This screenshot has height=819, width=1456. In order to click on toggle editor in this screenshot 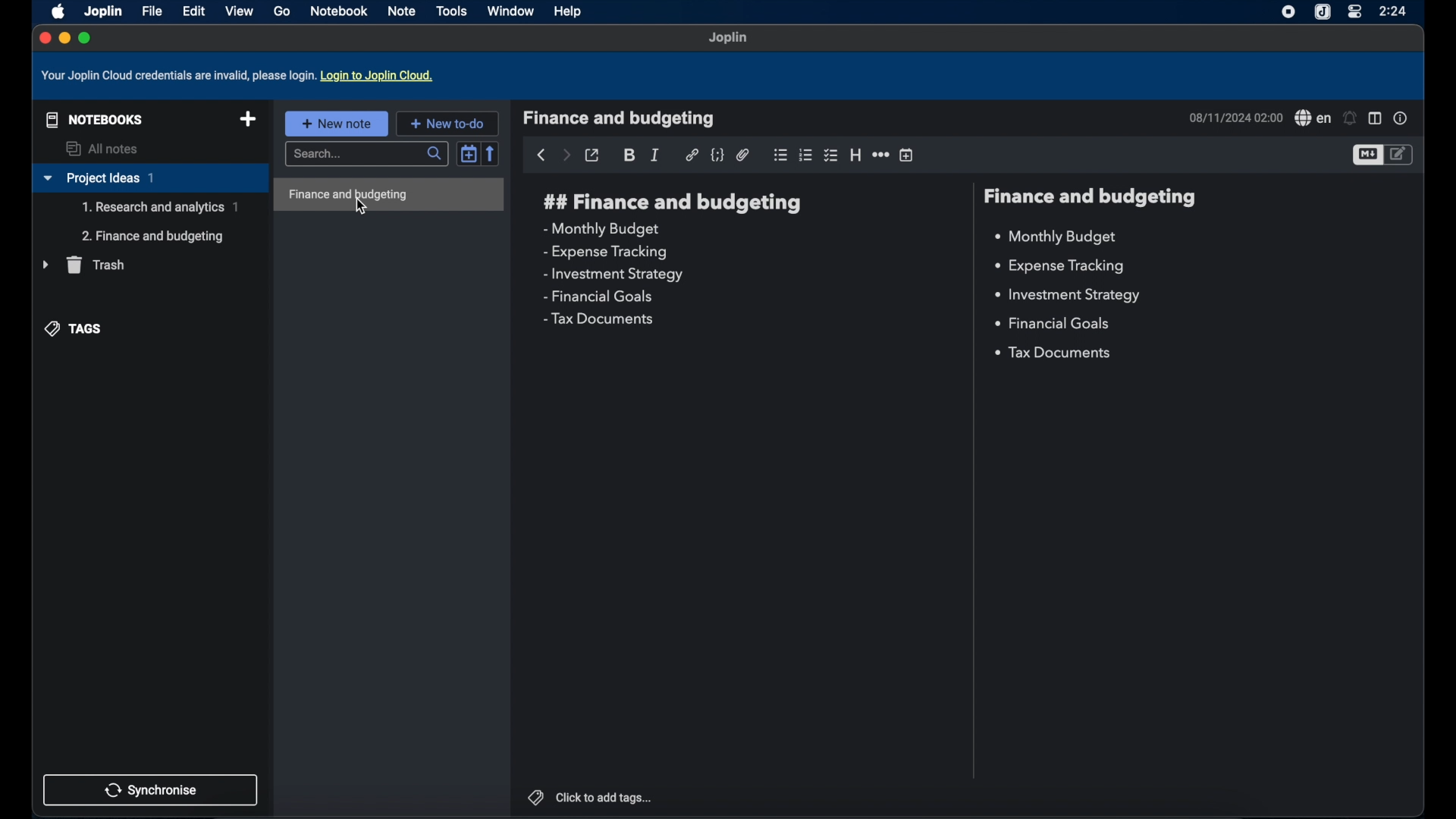, I will do `click(1401, 154)`.